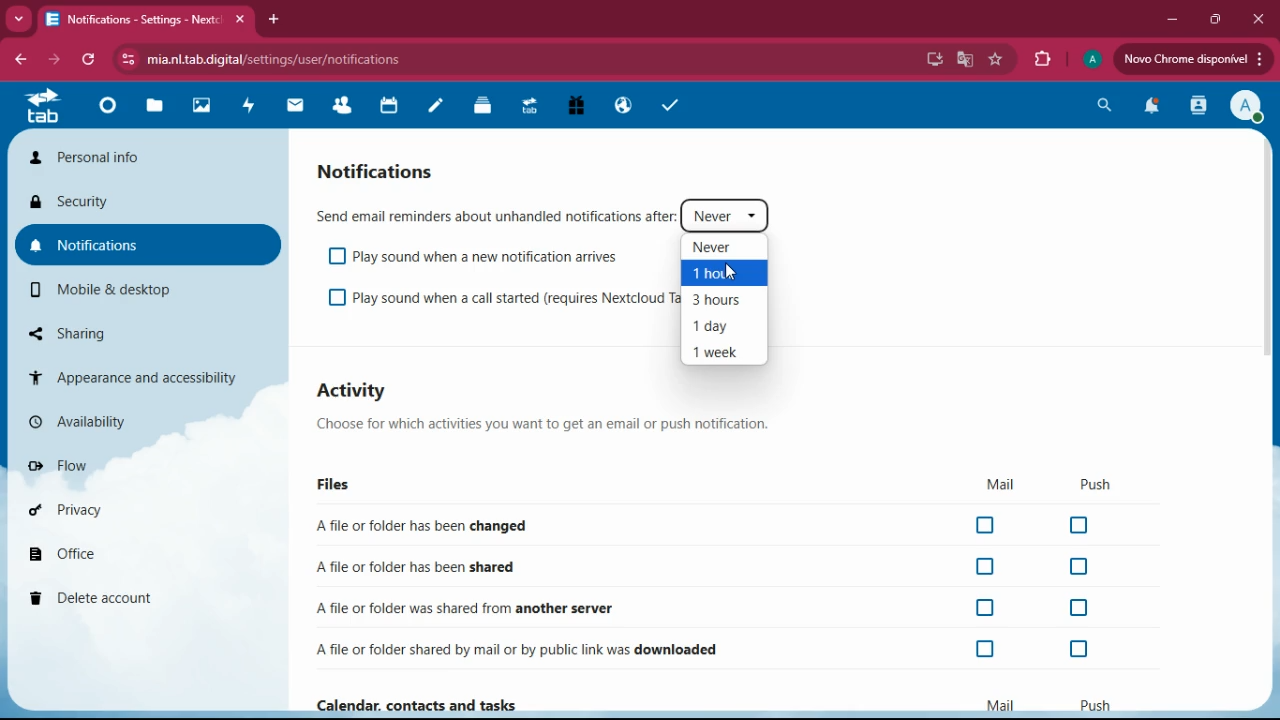 This screenshot has height=720, width=1280. Describe the element at coordinates (496, 256) in the screenshot. I see `playsound` at that location.